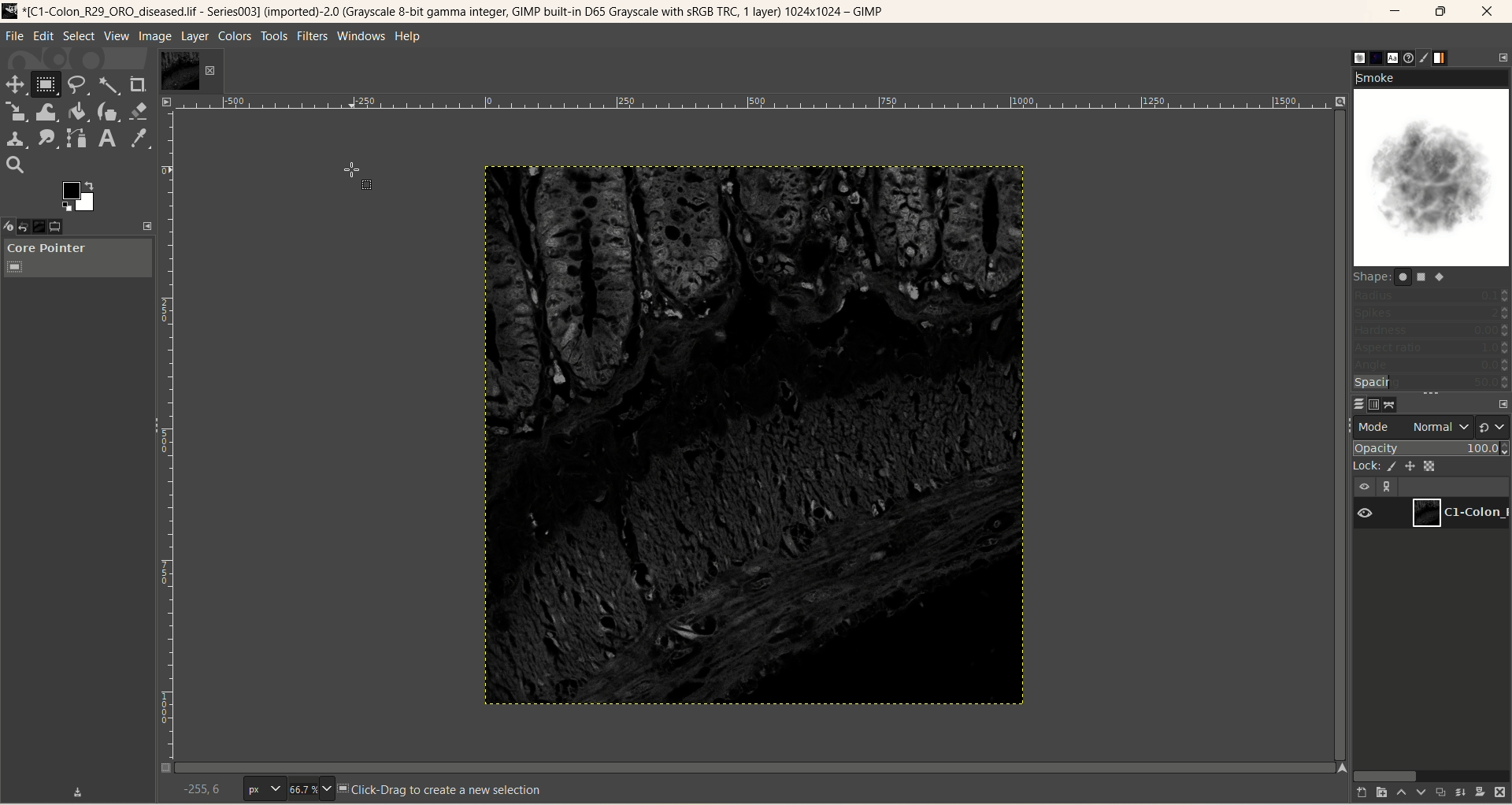 The height and width of the screenshot is (805, 1512). Describe the element at coordinates (235, 36) in the screenshot. I see `colors` at that location.